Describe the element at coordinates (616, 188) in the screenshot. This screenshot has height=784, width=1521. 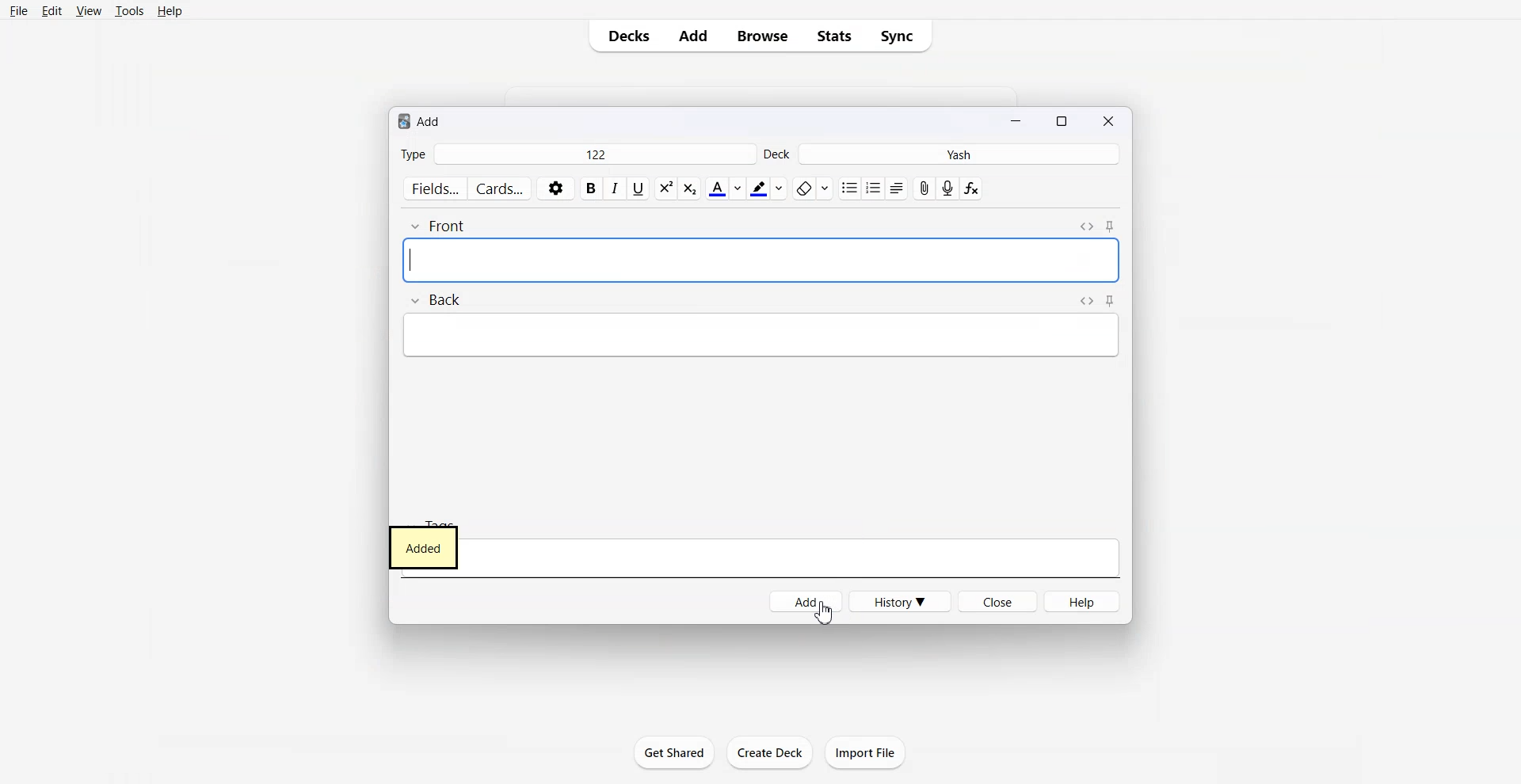
I see `Italic` at that location.